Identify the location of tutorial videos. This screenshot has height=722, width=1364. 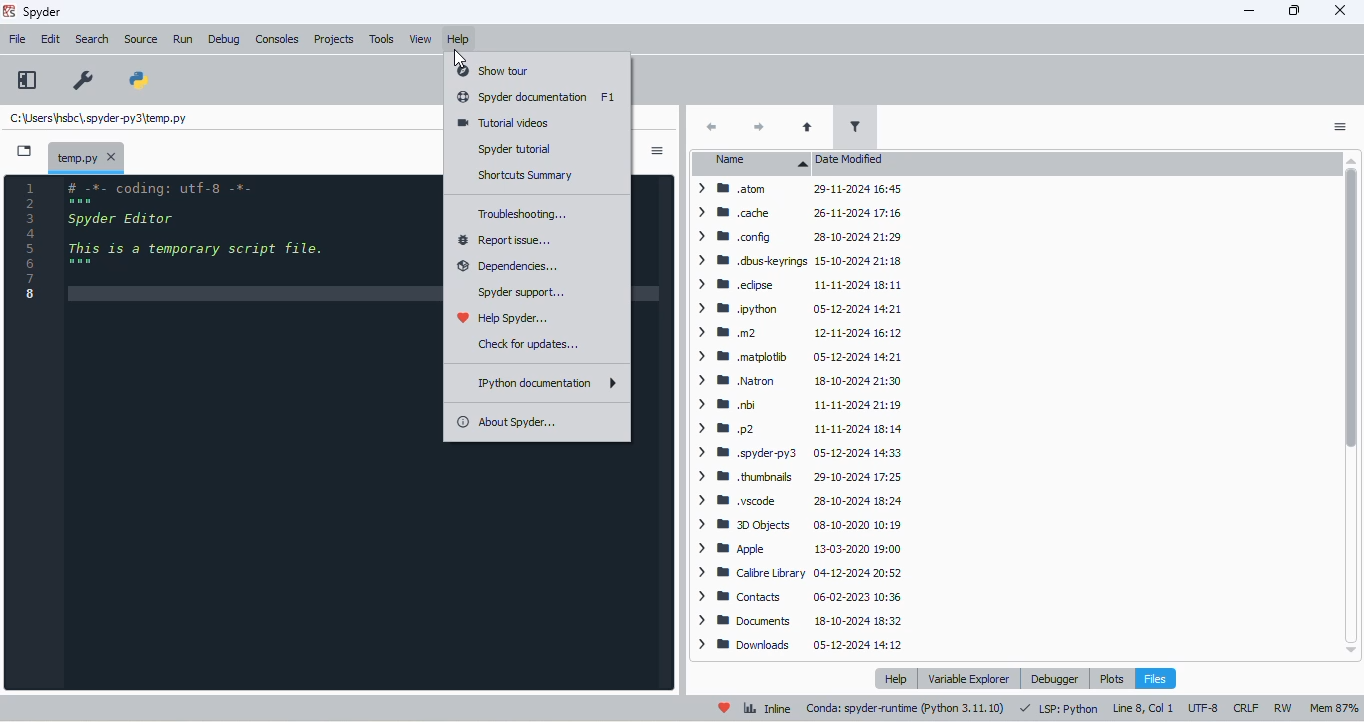
(503, 123).